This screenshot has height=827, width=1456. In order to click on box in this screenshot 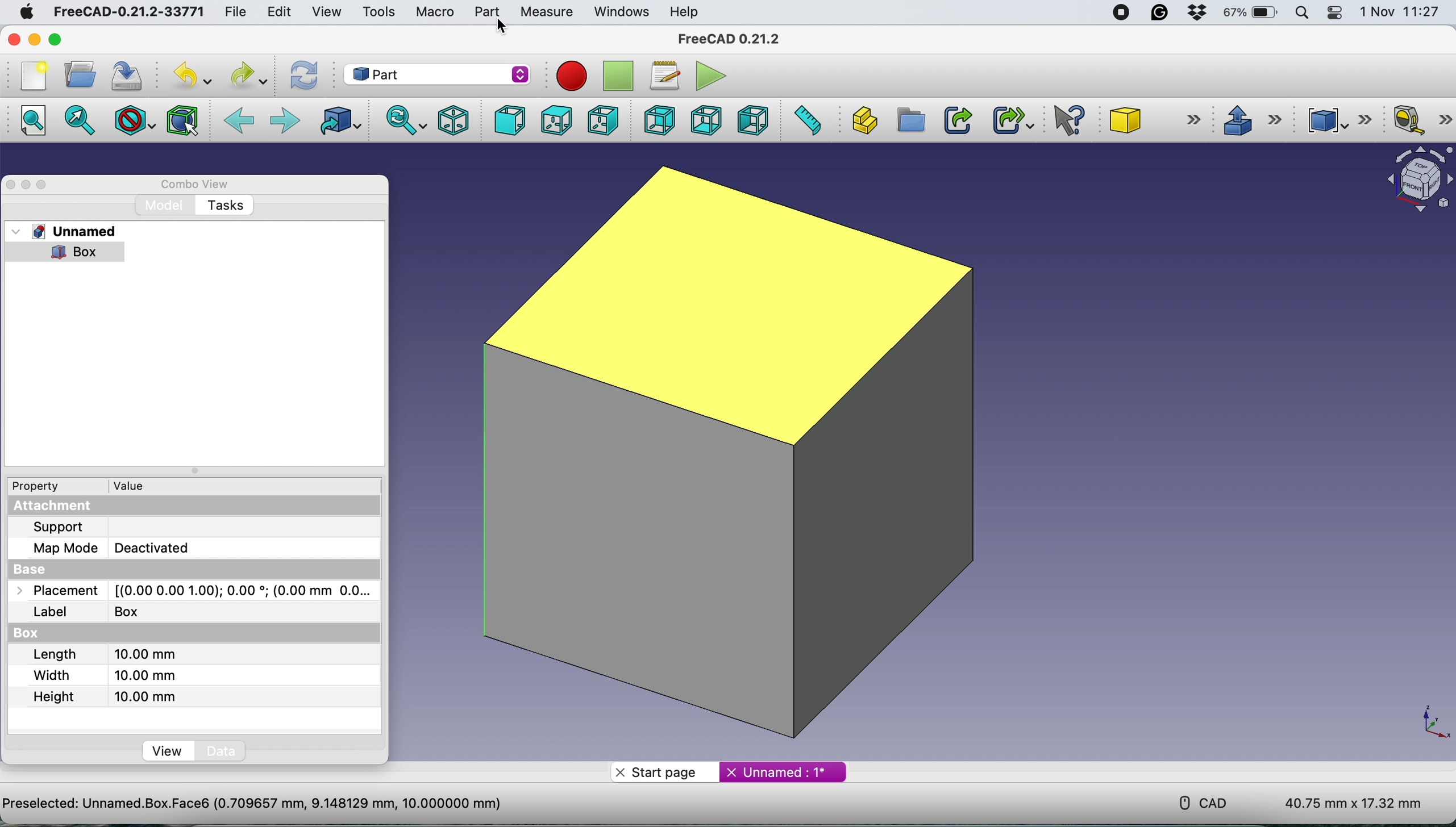, I will do `click(72, 250)`.